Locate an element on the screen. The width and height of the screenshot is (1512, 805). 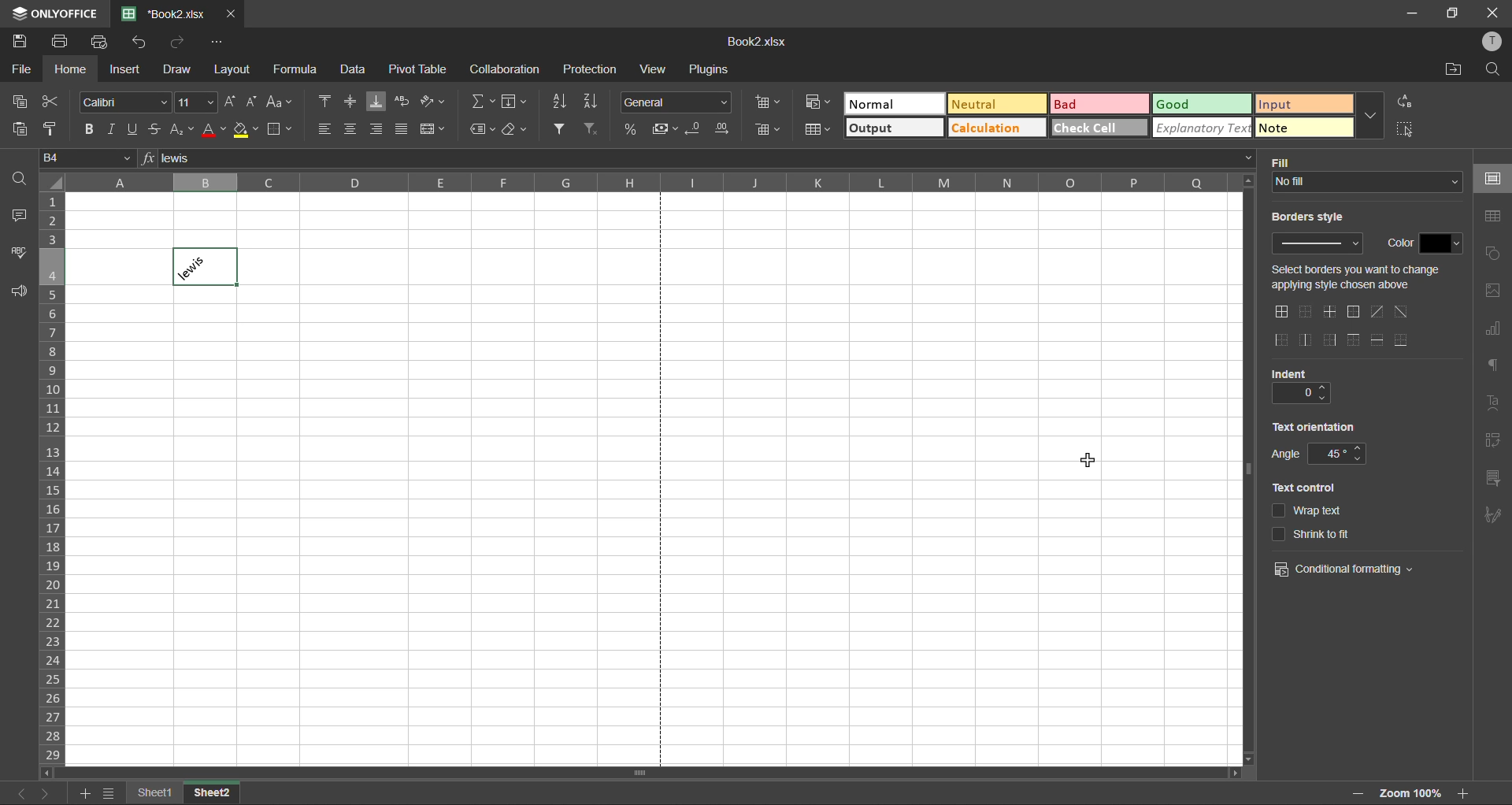
profile is located at coordinates (1491, 42).